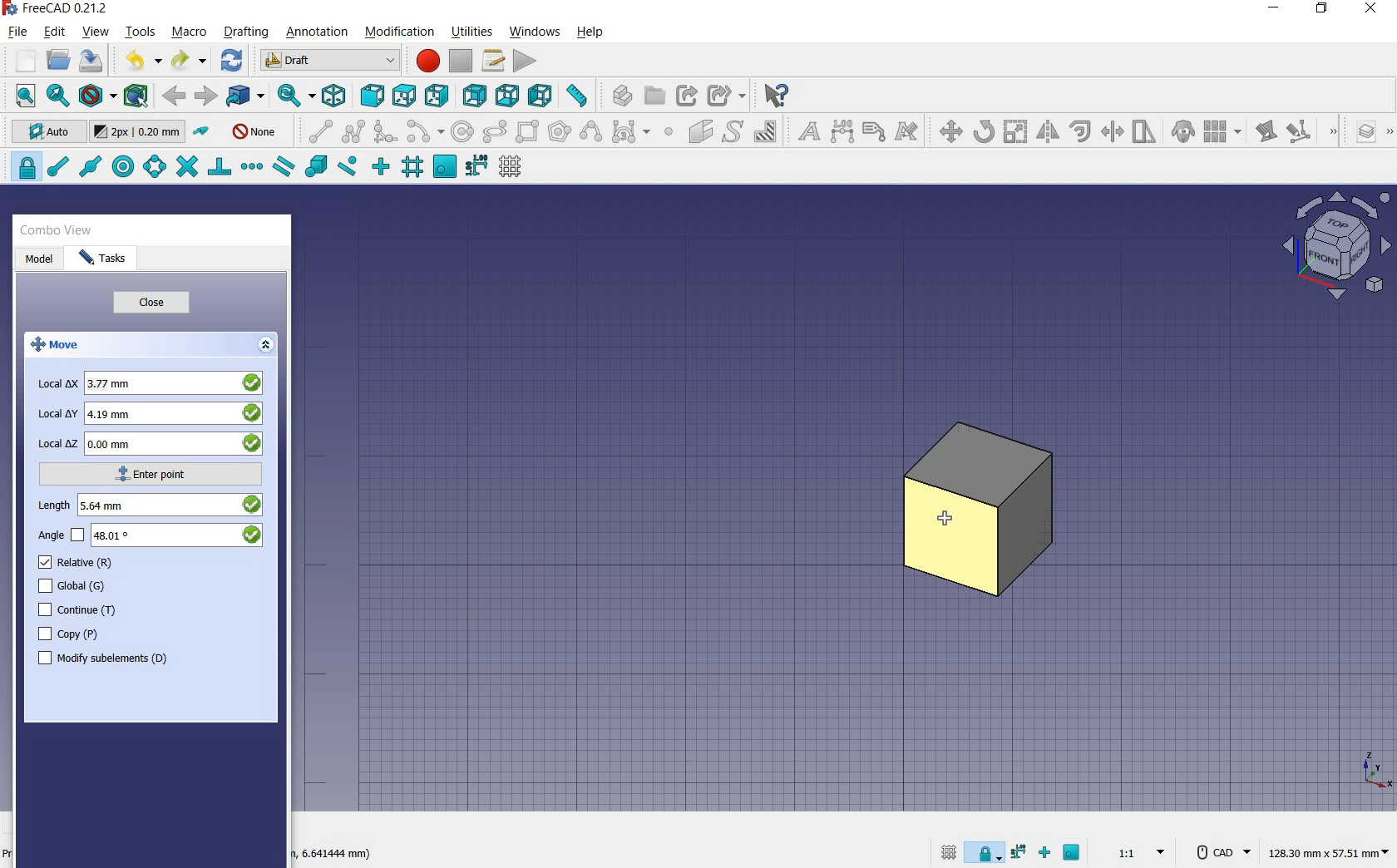 The height and width of the screenshot is (868, 1397). What do you see at coordinates (106, 257) in the screenshot?
I see `tasks` at bounding box center [106, 257].